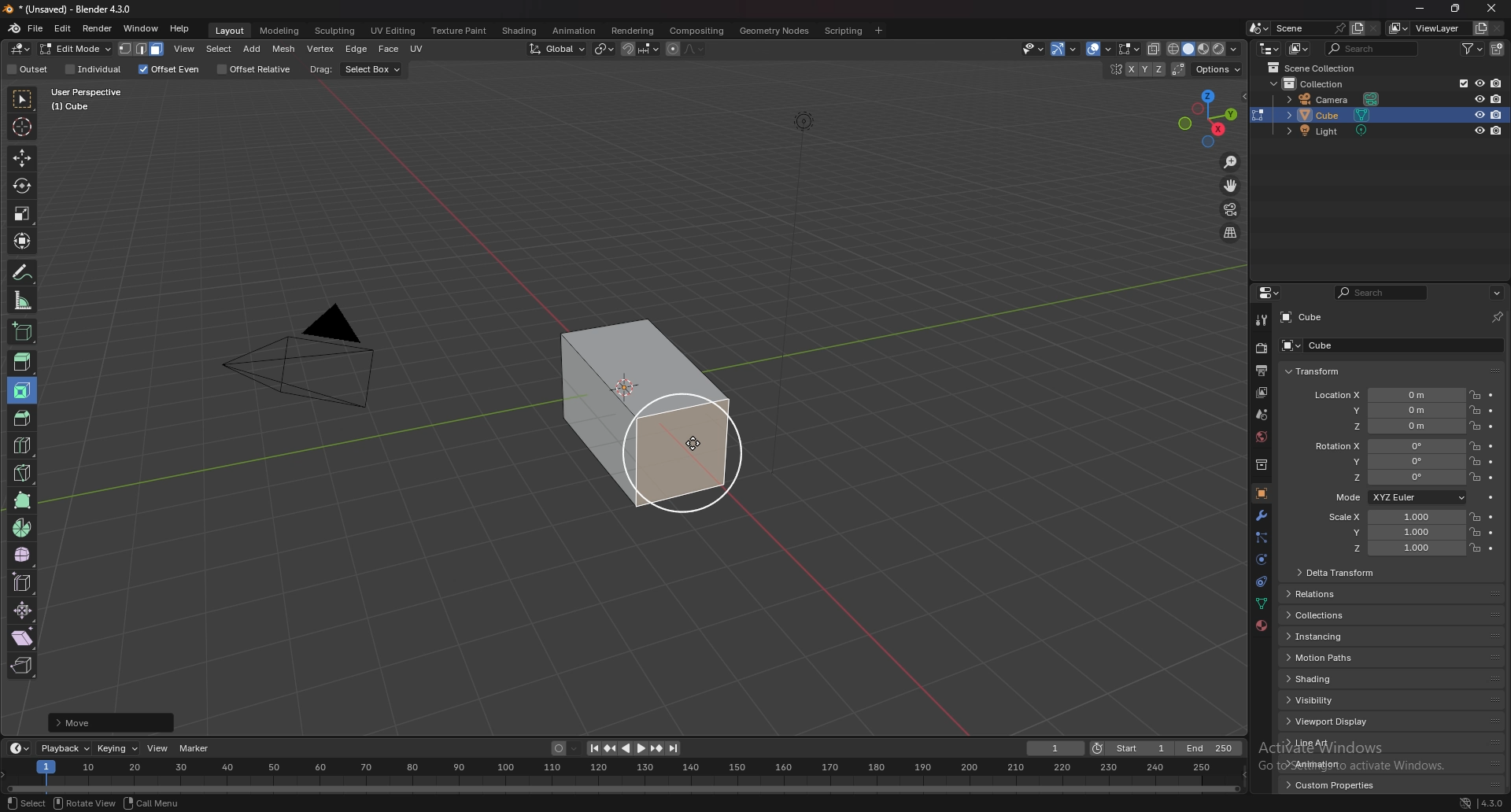 The image size is (1511, 812). Describe the element at coordinates (1232, 163) in the screenshot. I see `zoom` at that location.